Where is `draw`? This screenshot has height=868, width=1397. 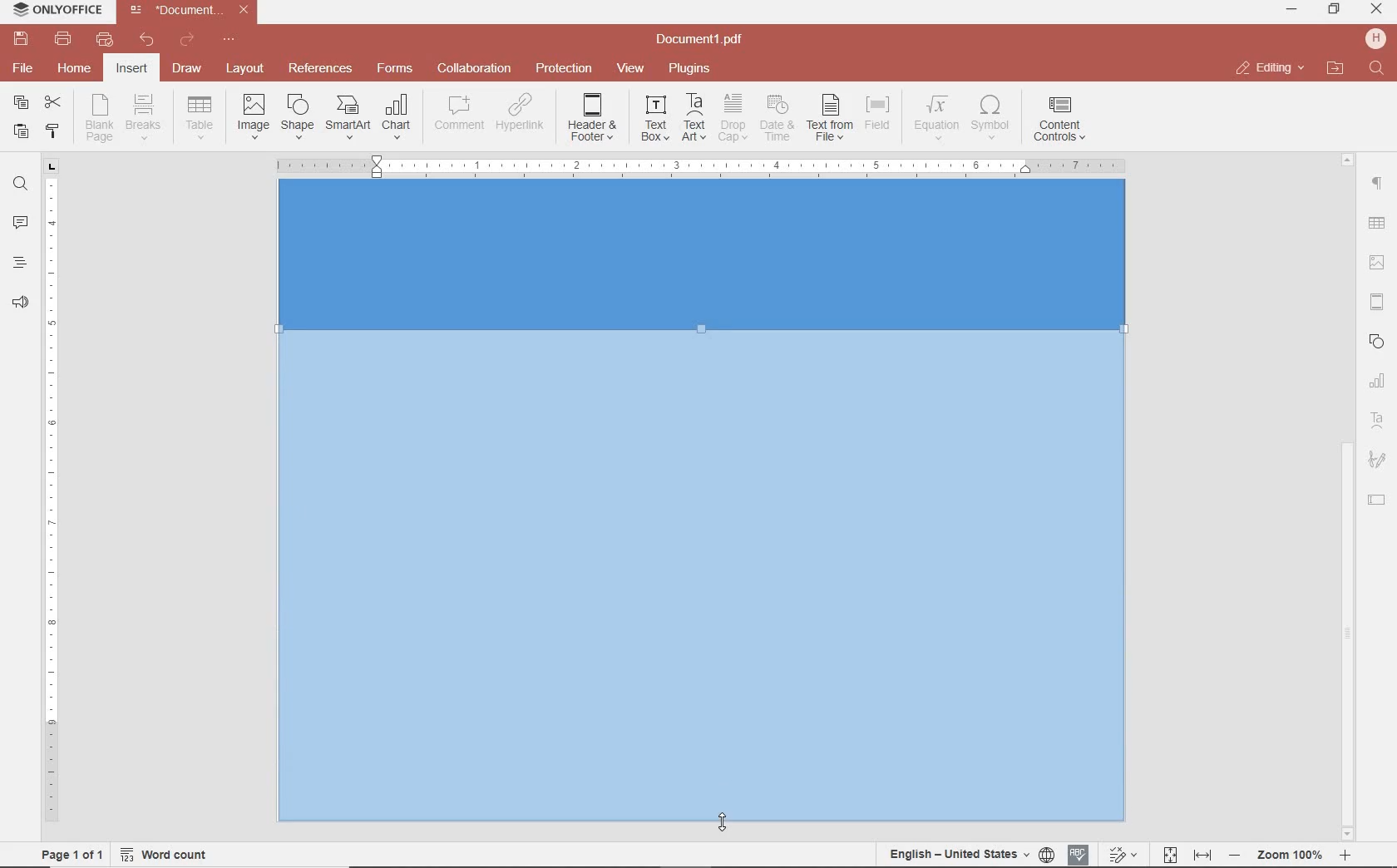
draw is located at coordinates (188, 67).